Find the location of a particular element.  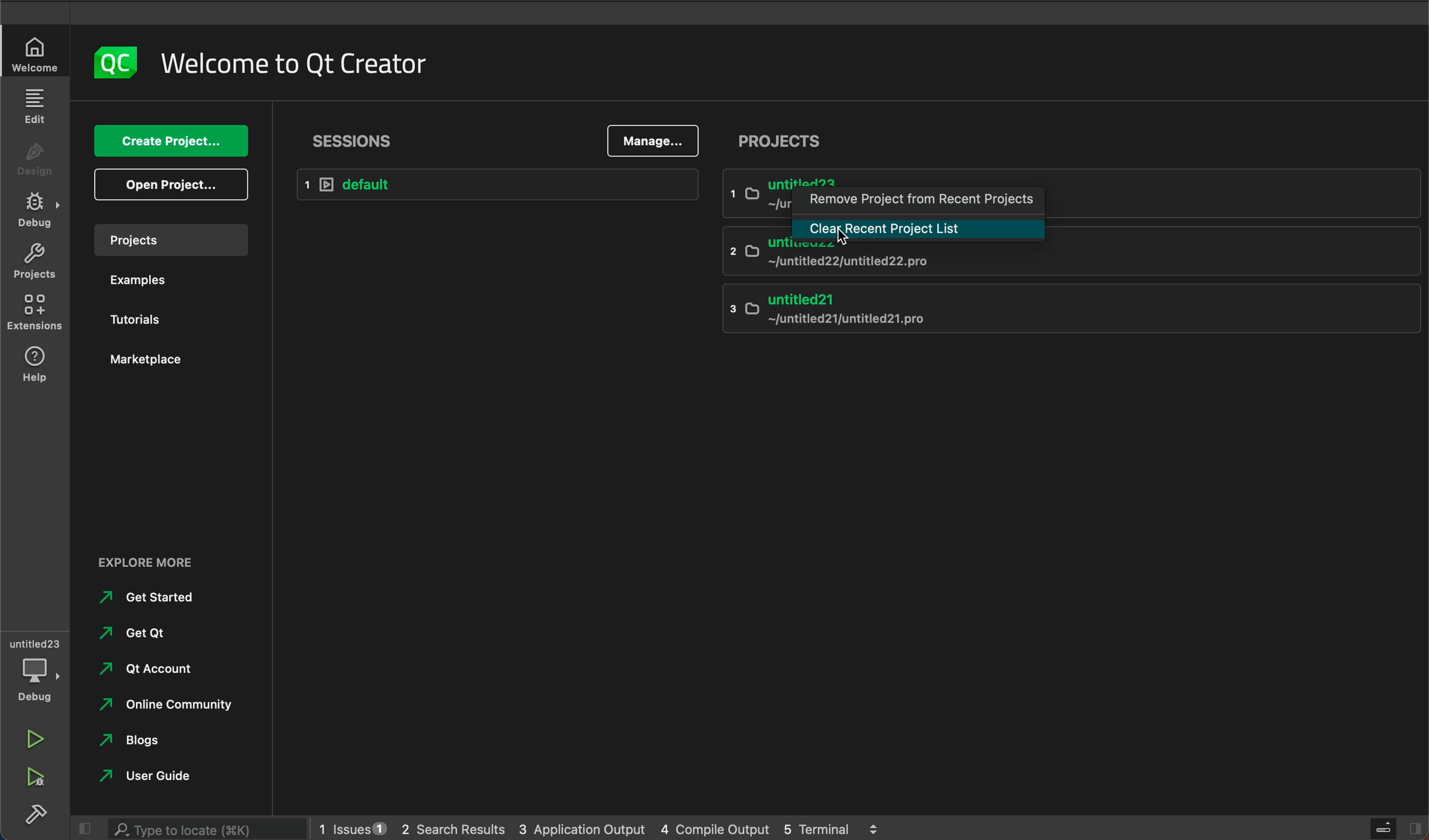

blogs is located at coordinates (136, 740).